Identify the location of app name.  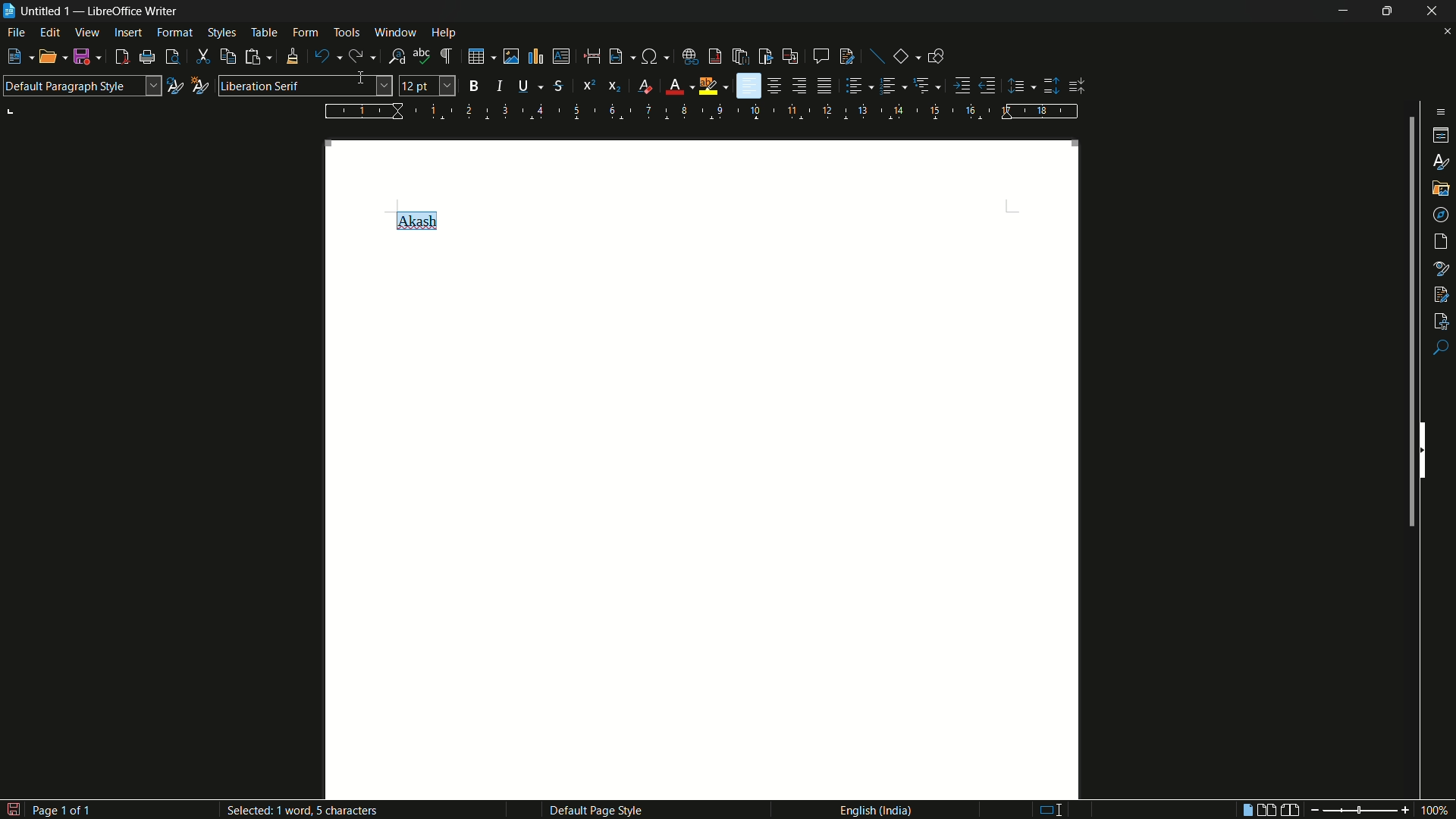
(134, 11).